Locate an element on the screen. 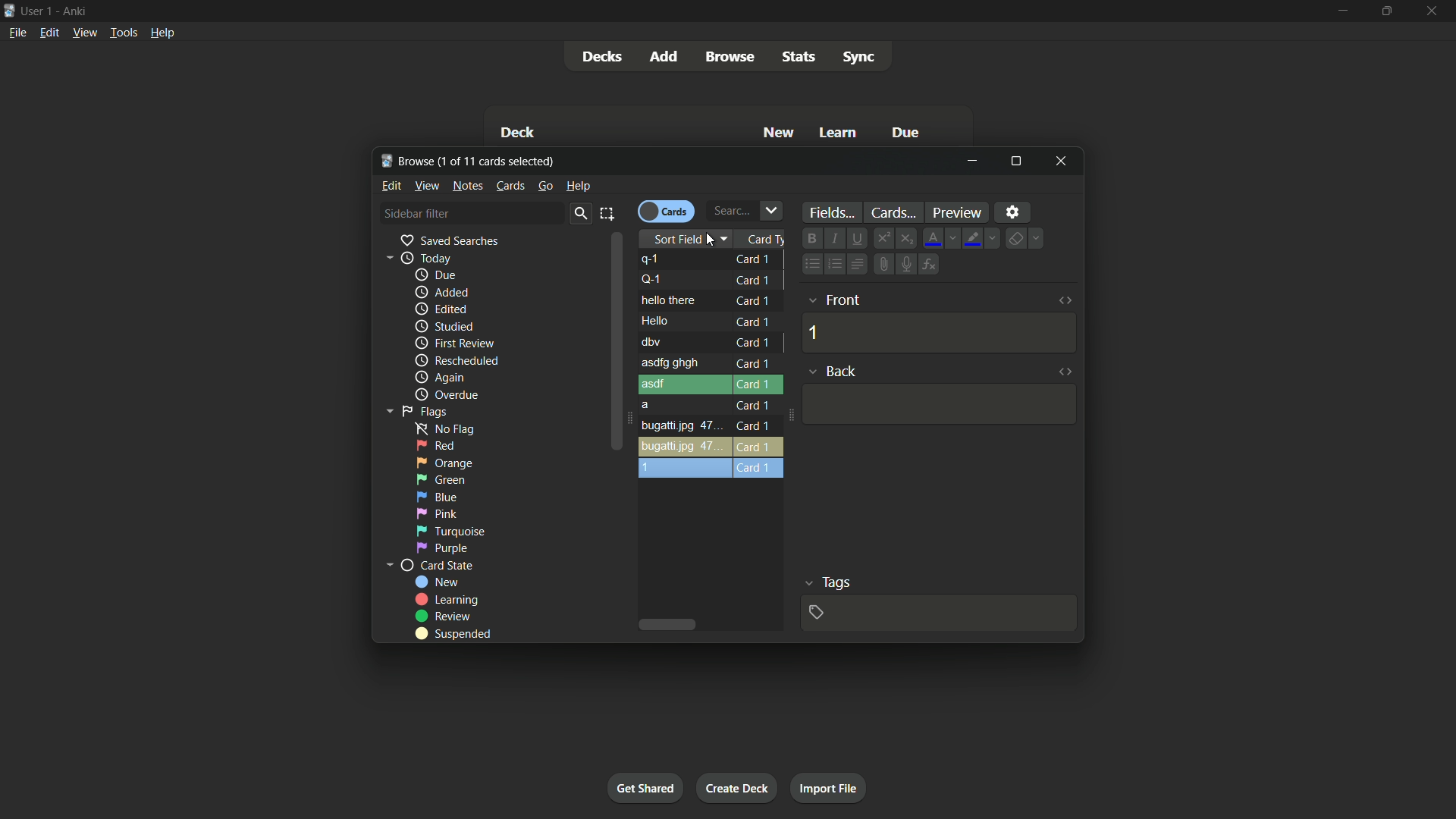 Image resolution: width=1456 pixels, height=819 pixels. tags is located at coordinates (834, 582).